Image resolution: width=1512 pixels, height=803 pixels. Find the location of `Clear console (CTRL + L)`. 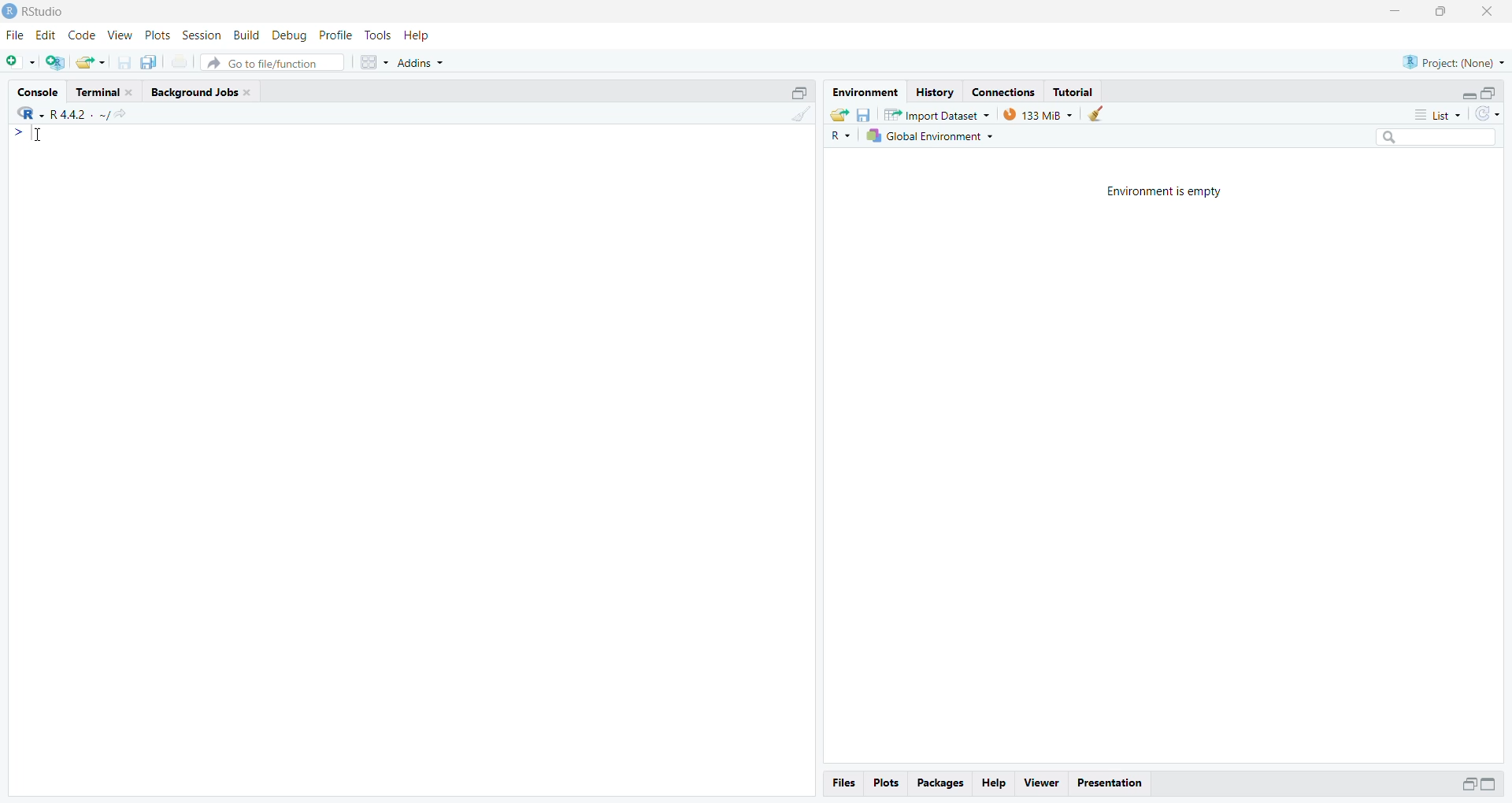

Clear console (CTRL + L) is located at coordinates (802, 117).